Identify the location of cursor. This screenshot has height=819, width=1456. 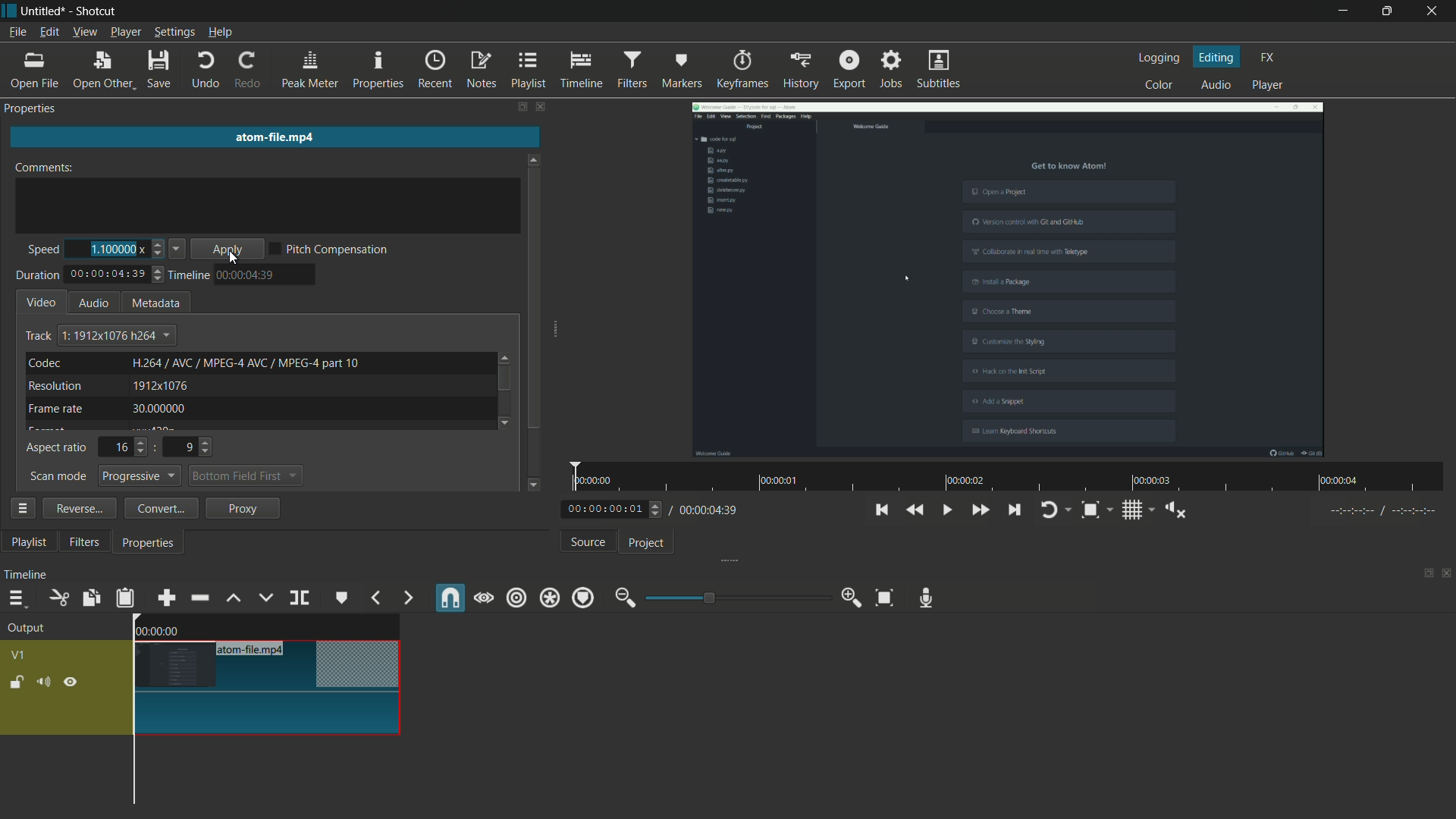
(356, 177).